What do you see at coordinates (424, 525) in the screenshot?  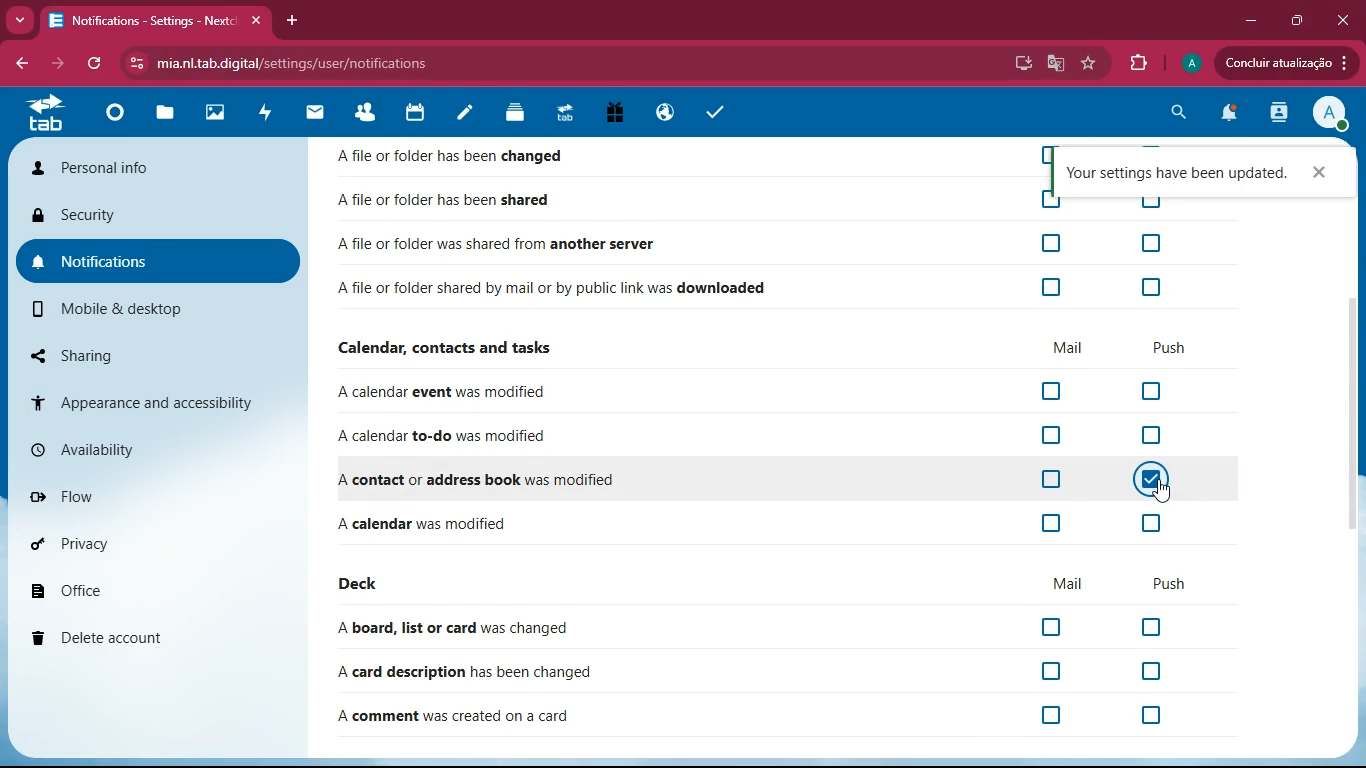 I see `A calendar was modified` at bounding box center [424, 525].